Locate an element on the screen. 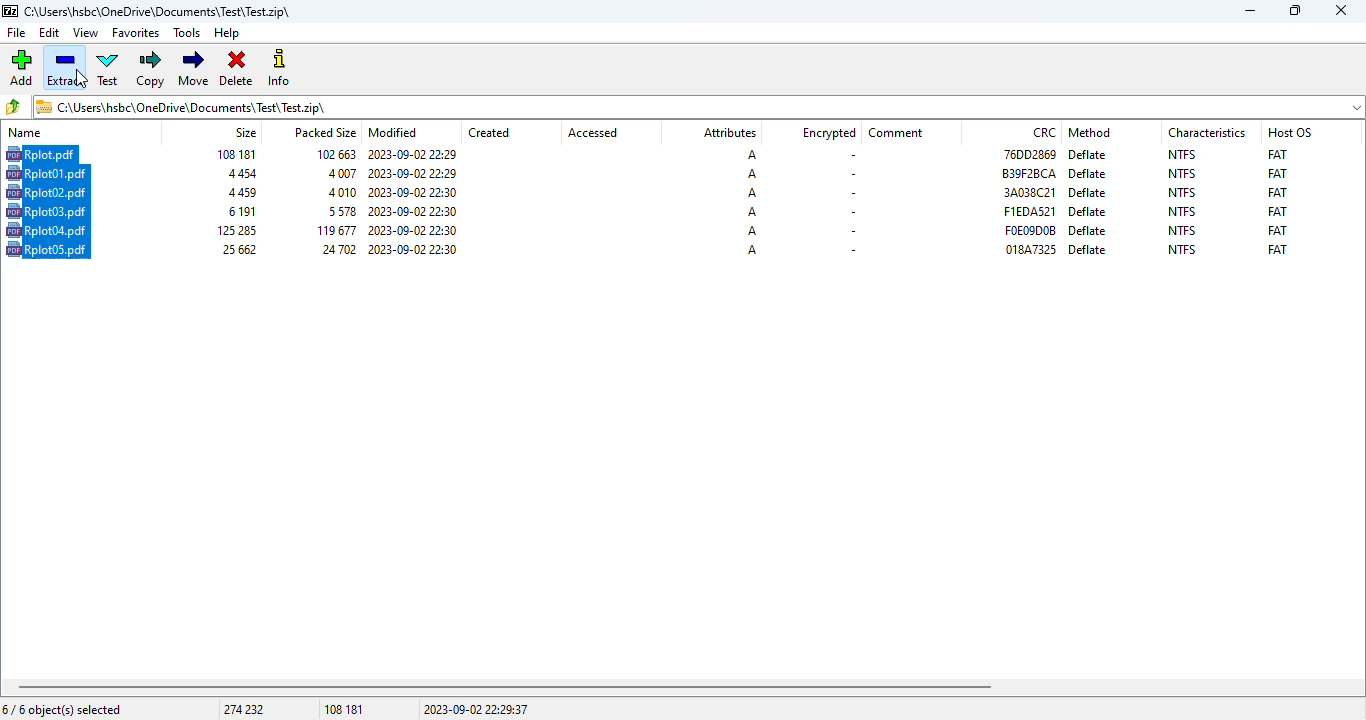  deflate is located at coordinates (1089, 230).